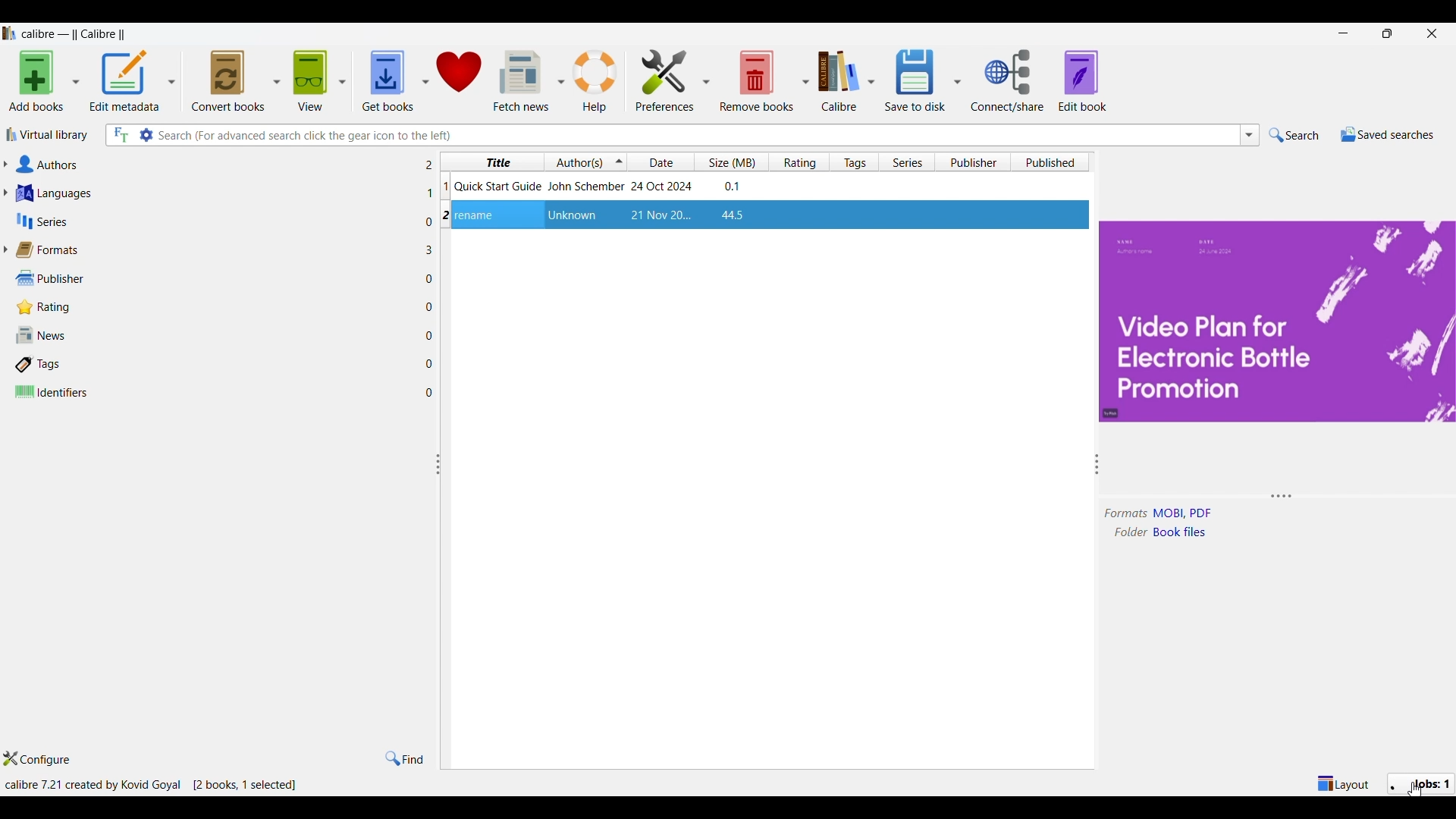 This screenshot has width=1456, height=819. What do you see at coordinates (215, 278) in the screenshot?
I see `Publisher` at bounding box center [215, 278].